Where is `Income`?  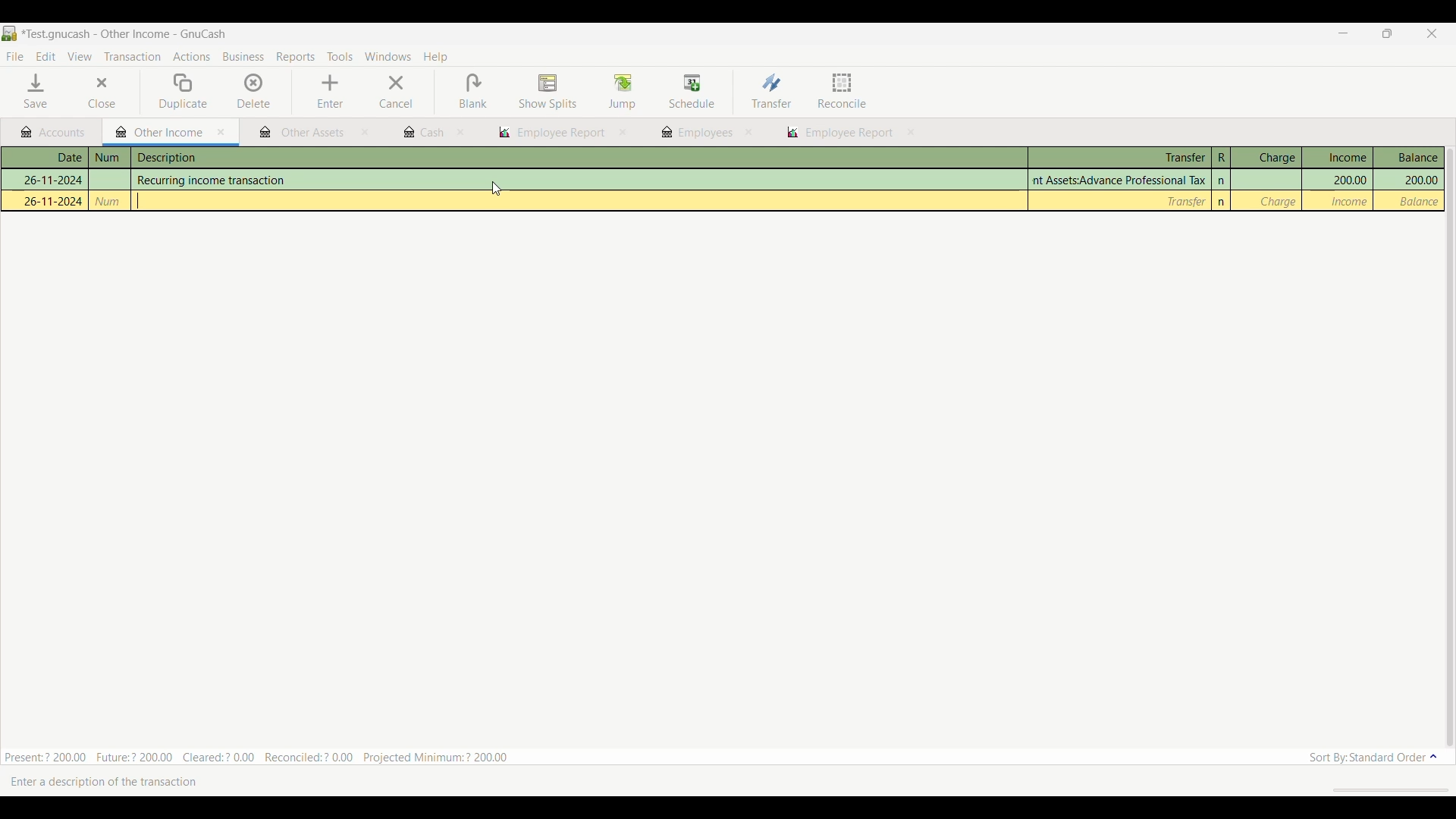
Income is located at coordinates (1345, 201).